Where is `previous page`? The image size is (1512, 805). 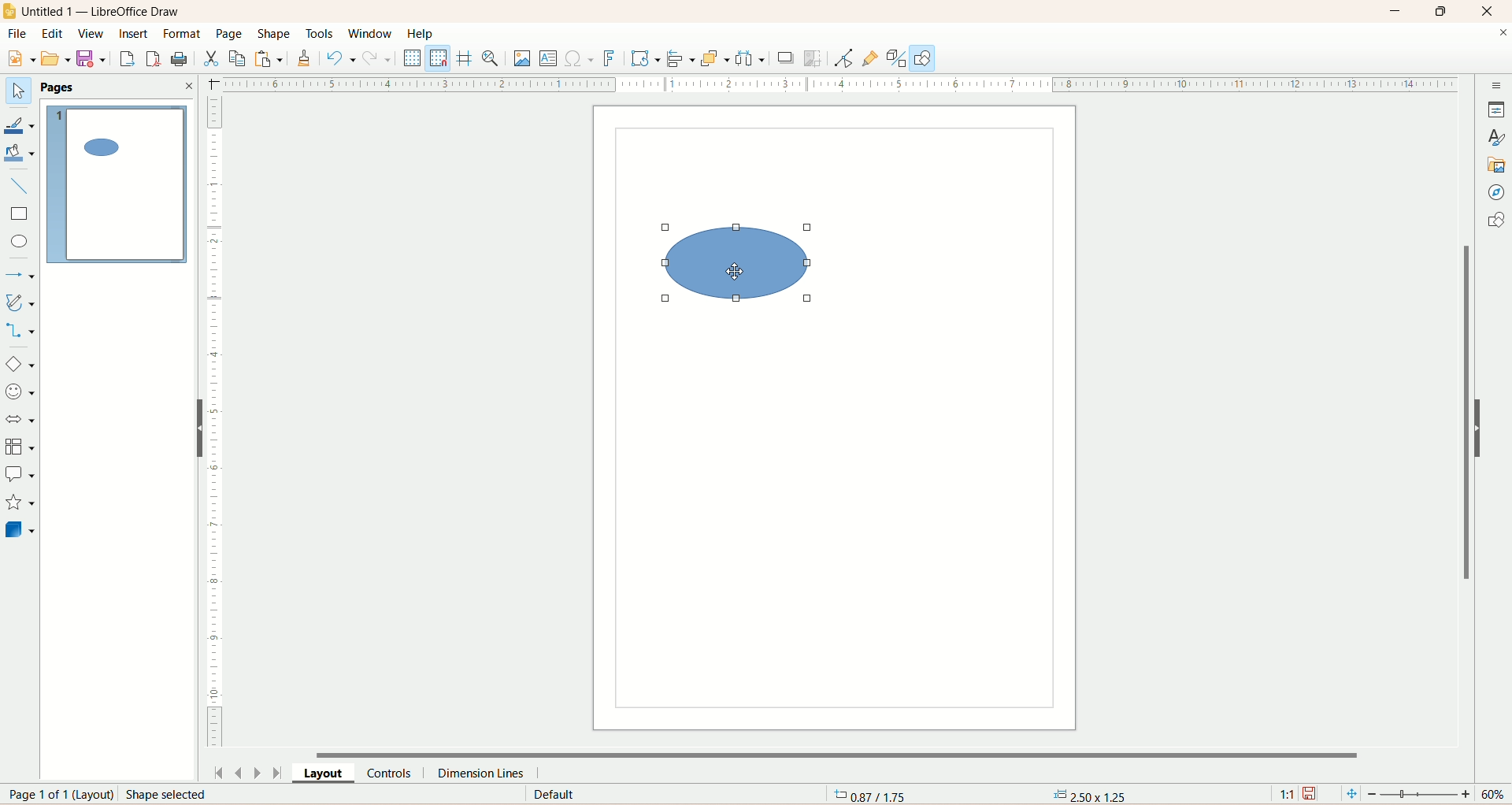 previous page is located at coordinates (239, 772).